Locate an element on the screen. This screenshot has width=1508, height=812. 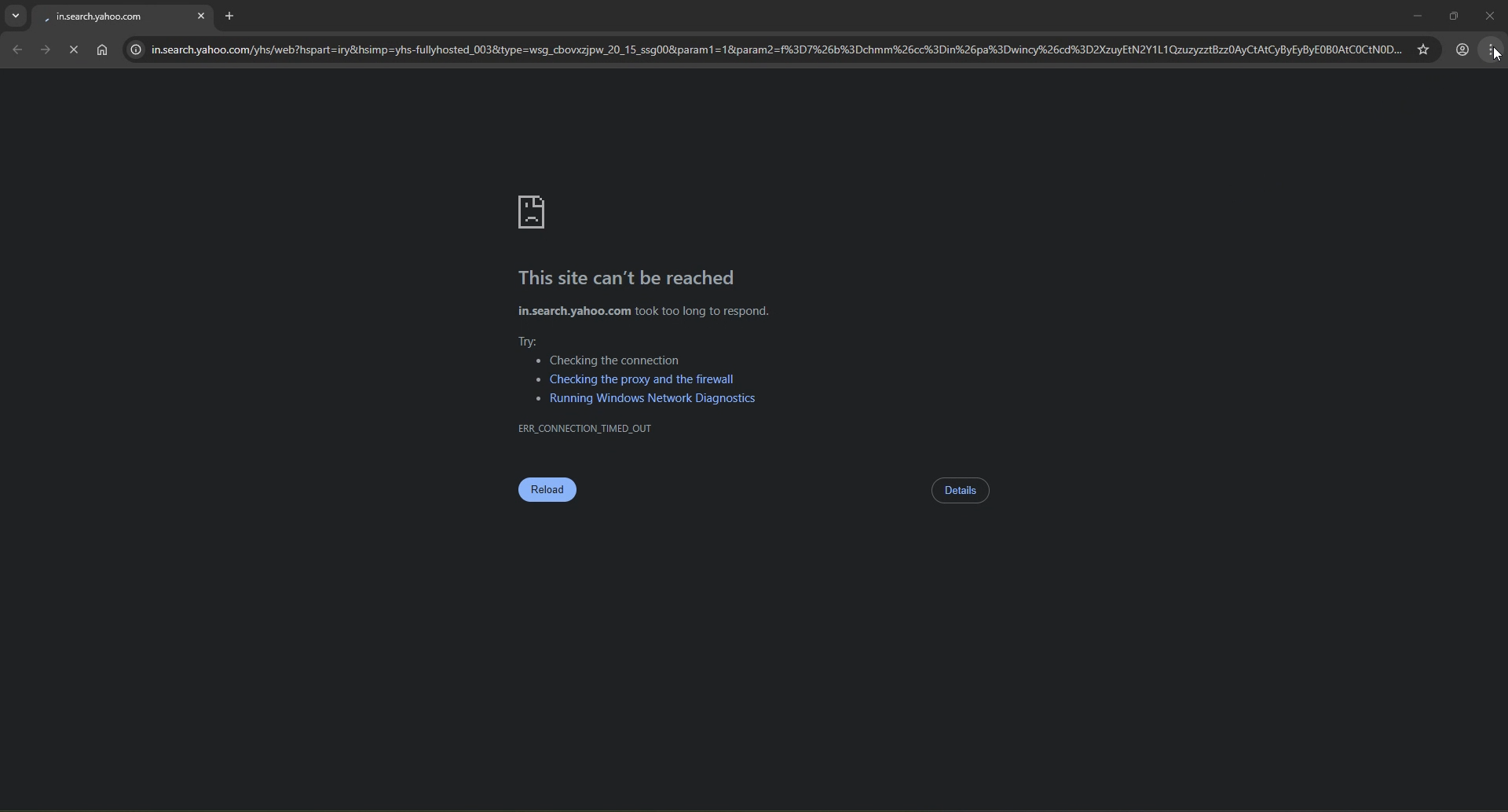
Go Forward is located at coordinates (45, 49).